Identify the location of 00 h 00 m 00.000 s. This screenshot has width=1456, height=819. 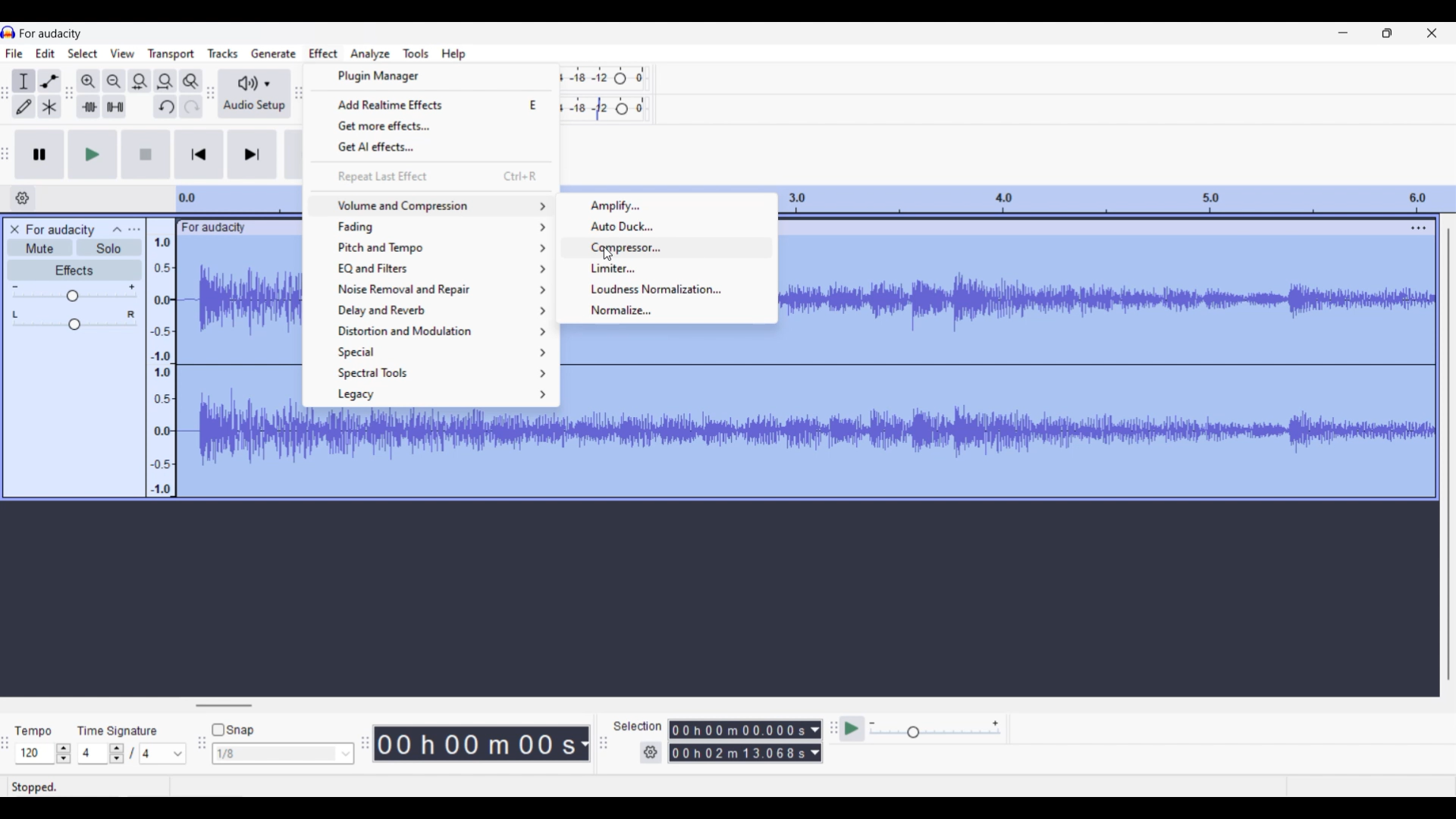
(738, 742).